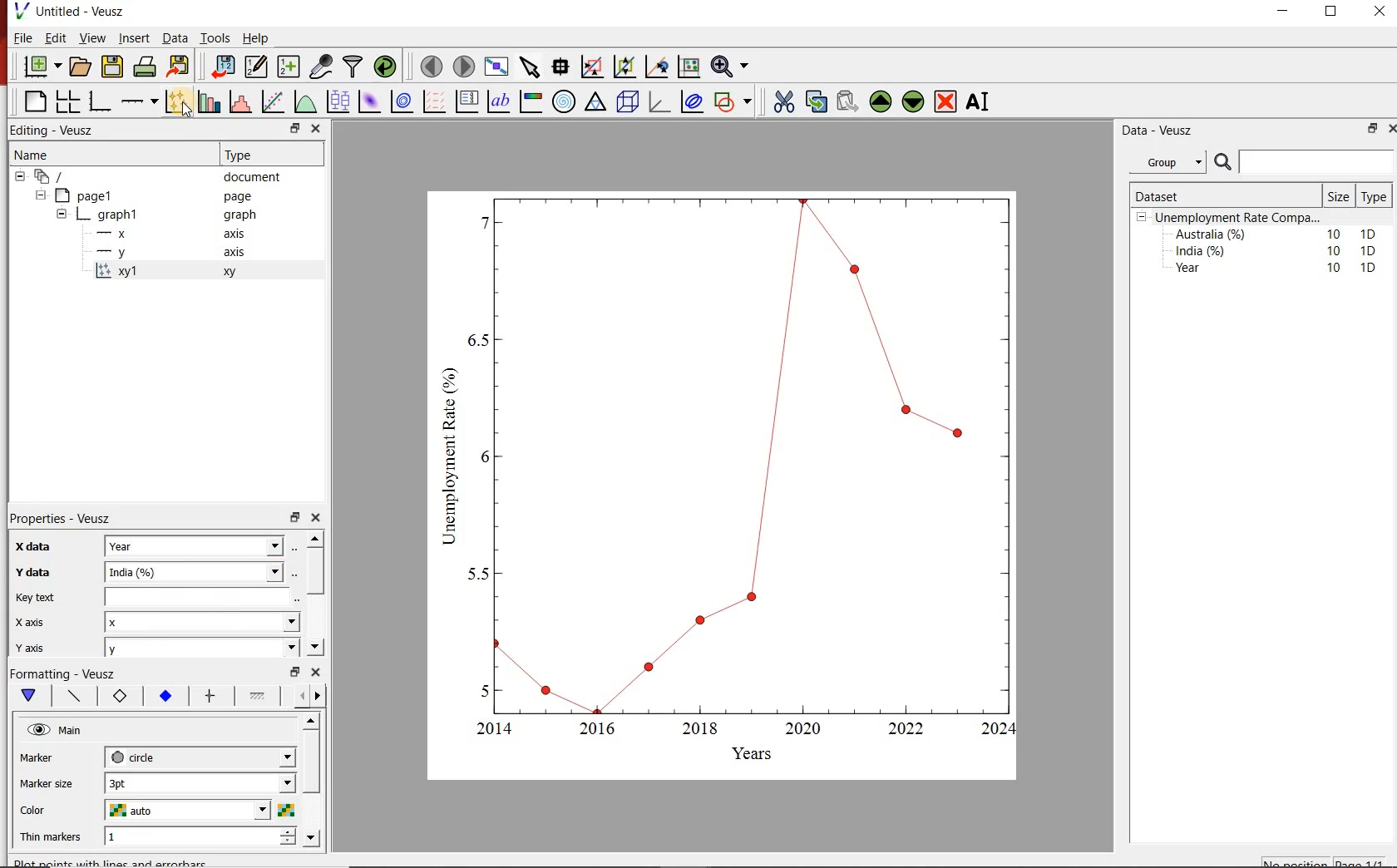  I want to click on x axis, so click(178, 233).